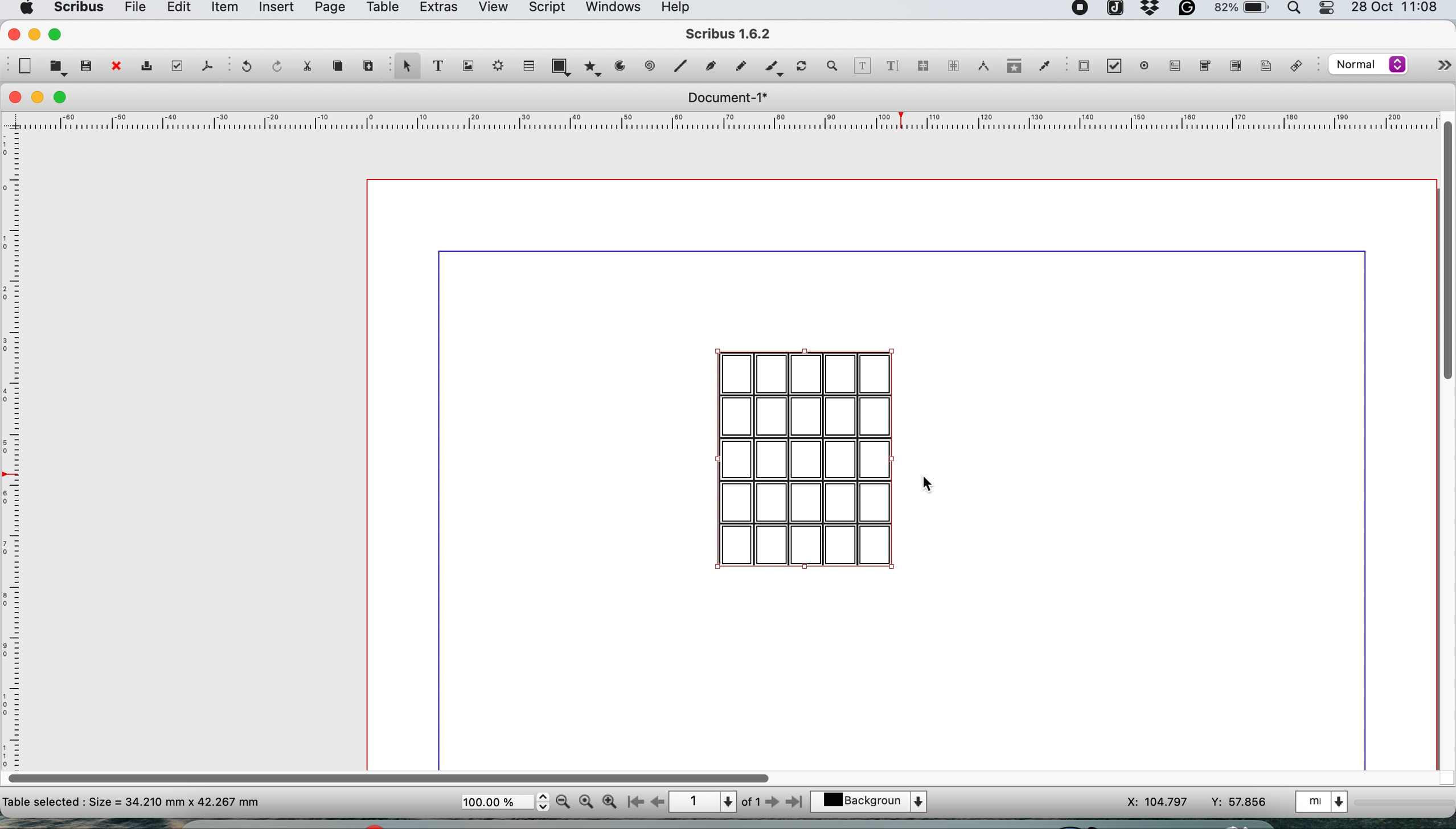  What do you see at coordinates (657, 803) in the screenshot?
I see `go to previous page` at bounding box center [657, 803].